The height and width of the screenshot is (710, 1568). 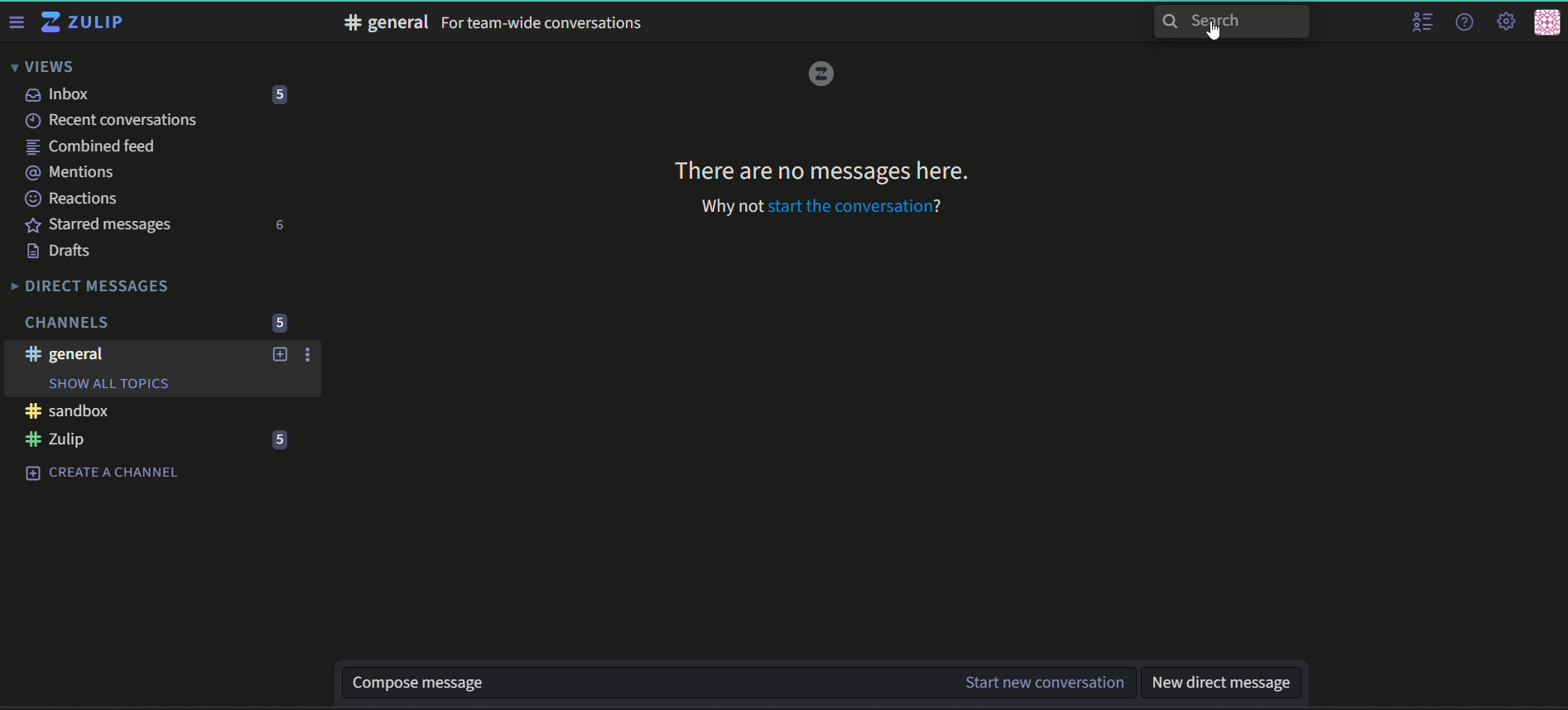 What do you see at coordinates (1548, 21) in the screenshot?
I see `personal menu` at bounding box center [1548, 21].